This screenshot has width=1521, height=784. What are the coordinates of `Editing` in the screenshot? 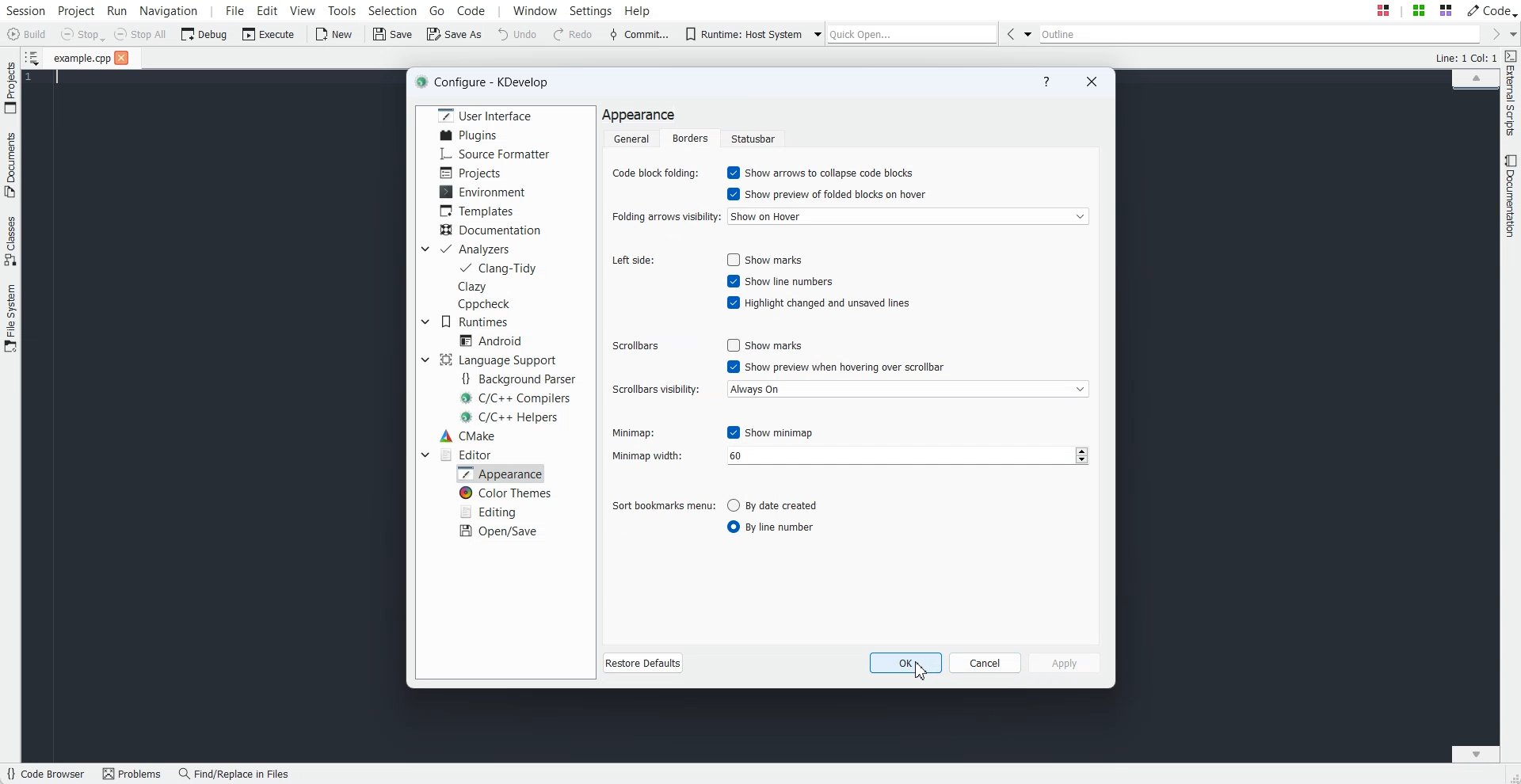 It's located at (491, 511).